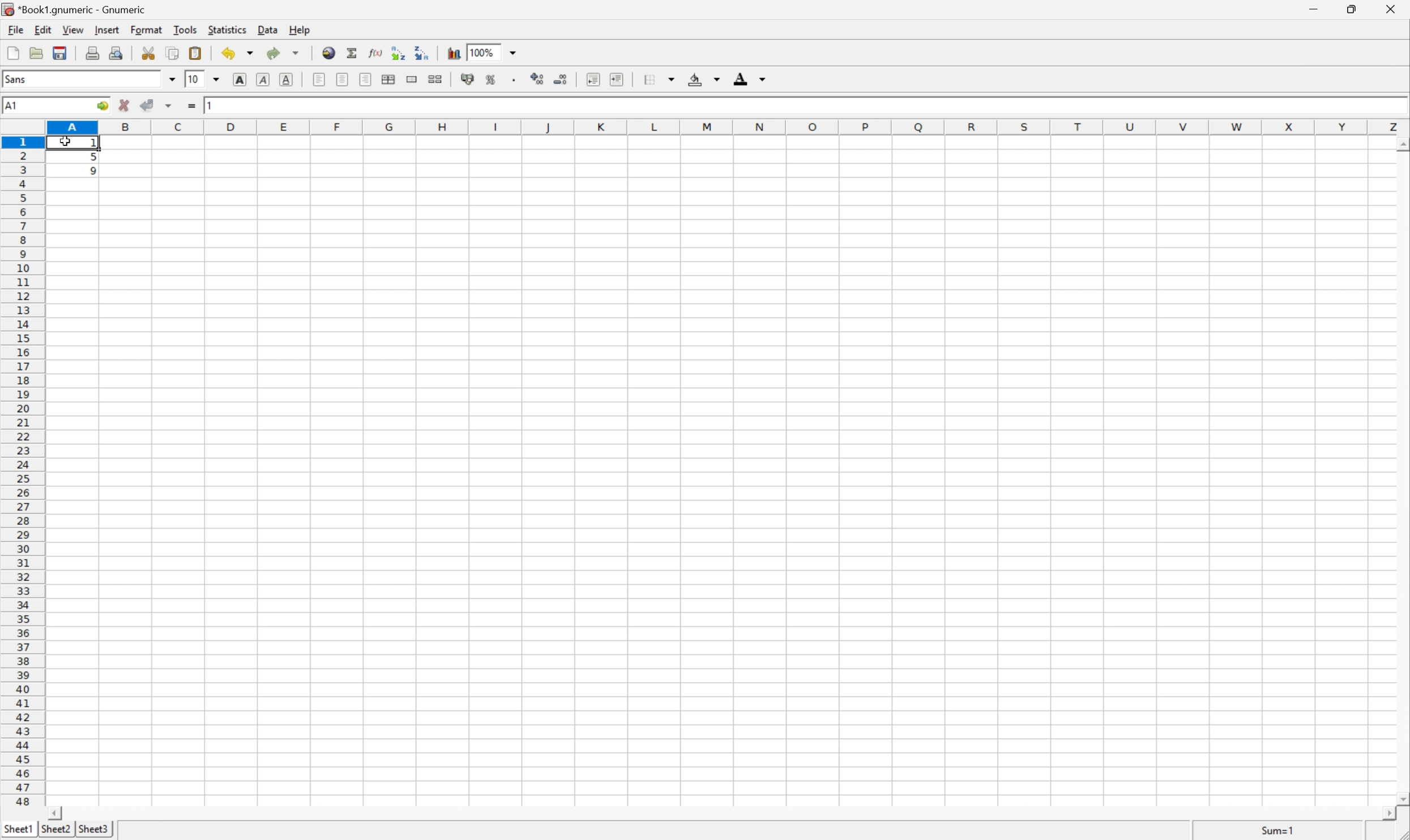  I want to click on row numbers, so click(22, 472).